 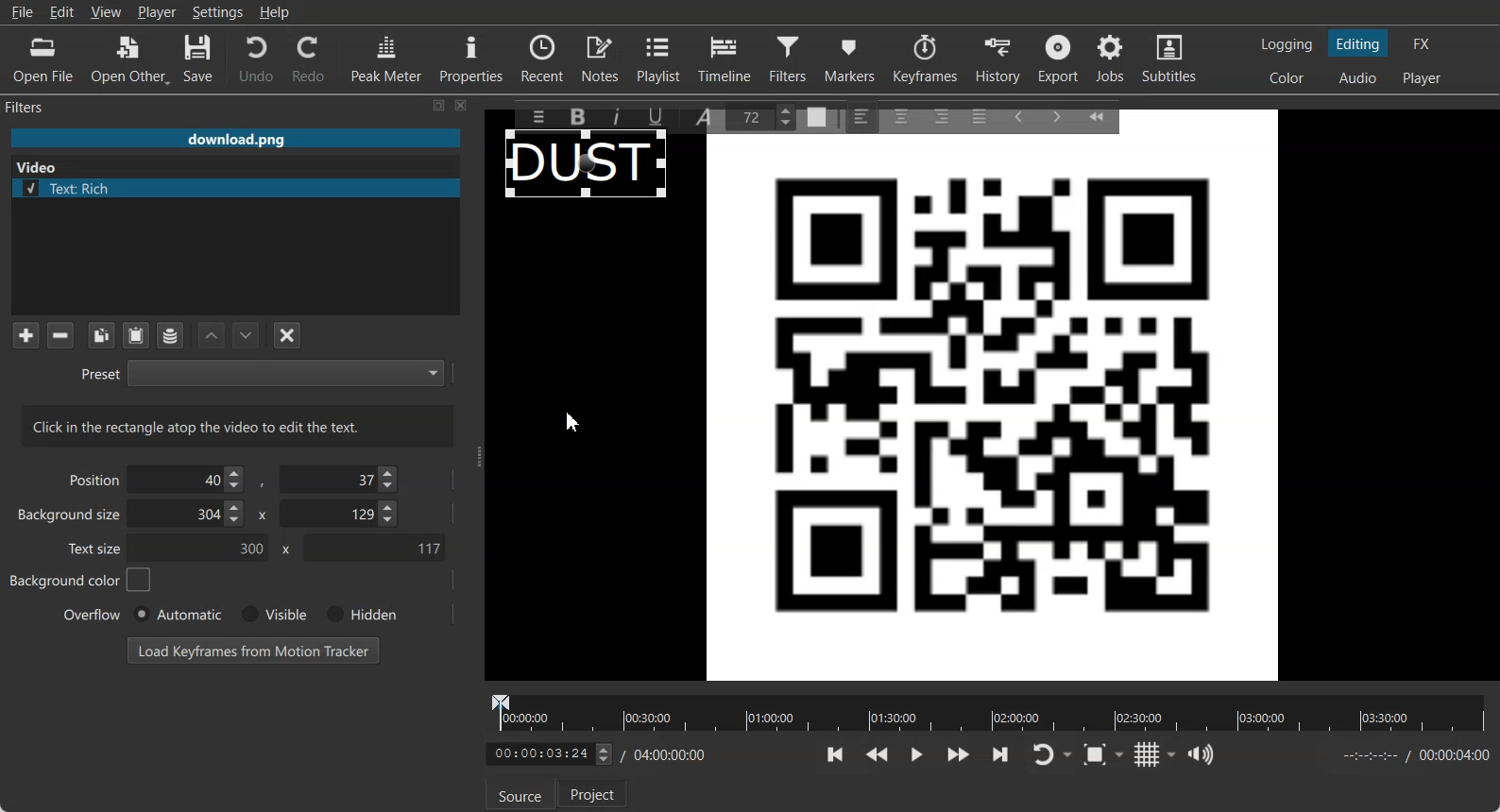 What do you see at coordinates (204, 550) in the screenshot?
I see `Text size X- Co-ordinate` at bounding box center [204, 550].